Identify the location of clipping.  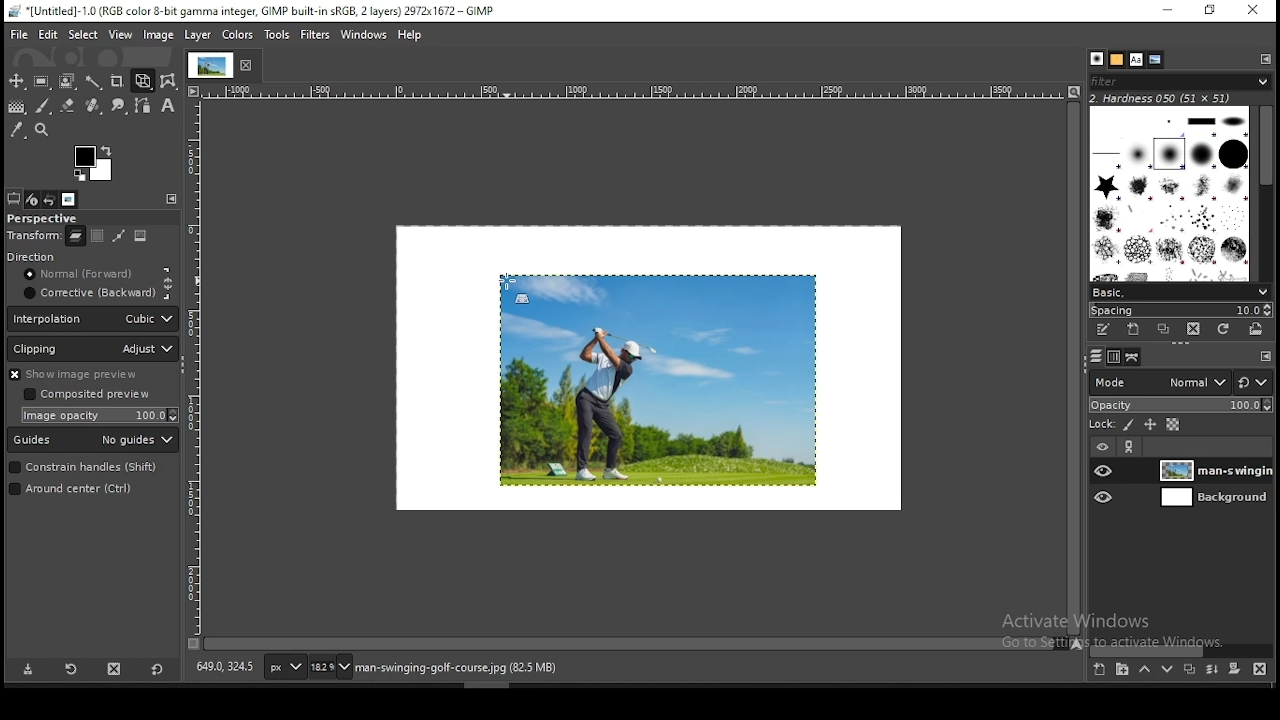
(94, 349).